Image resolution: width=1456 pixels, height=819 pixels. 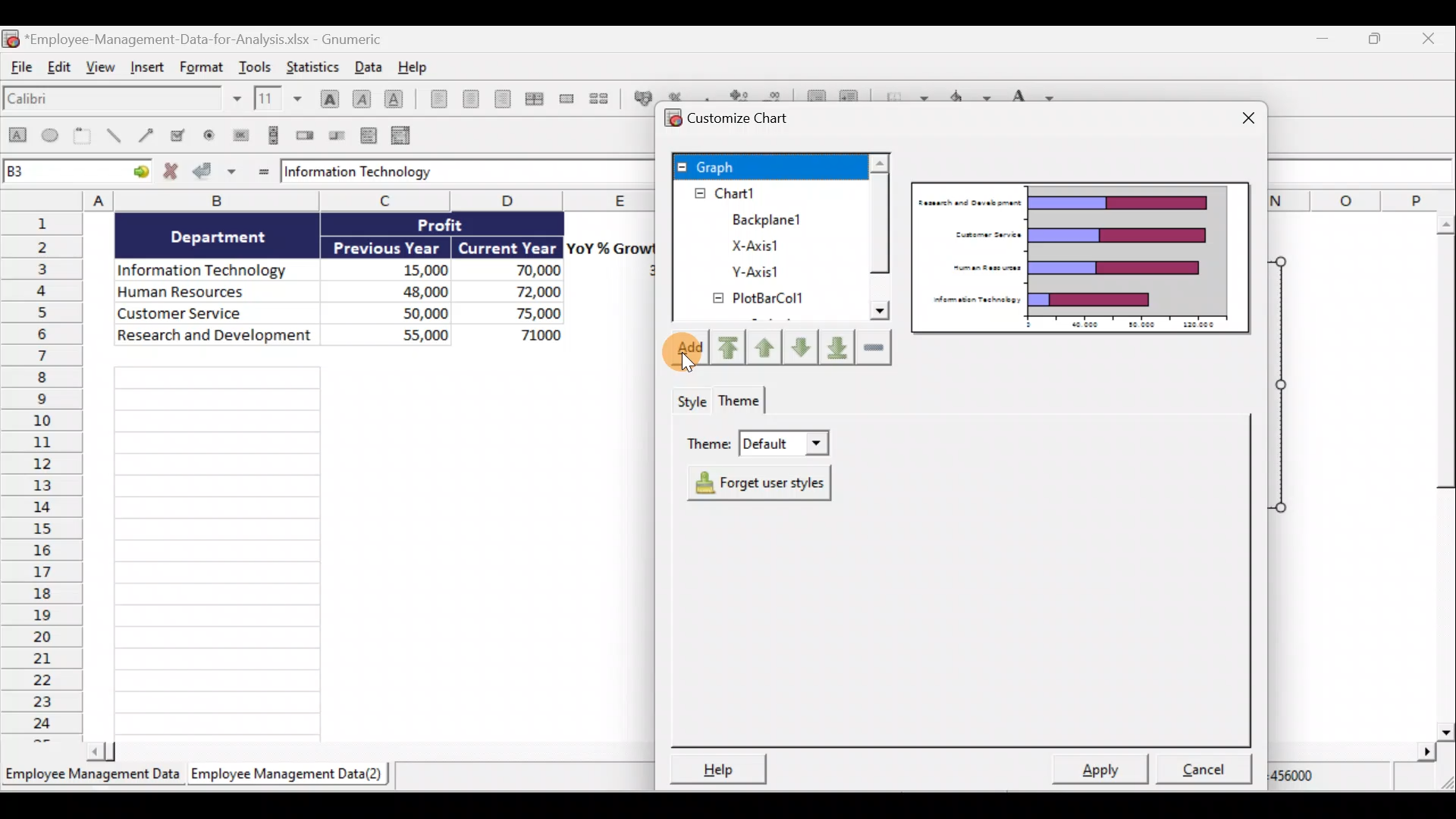 What do you see at coordinates (370, 132) in the screenshot?
I see `Create a list` at bounding box center [370, 132].